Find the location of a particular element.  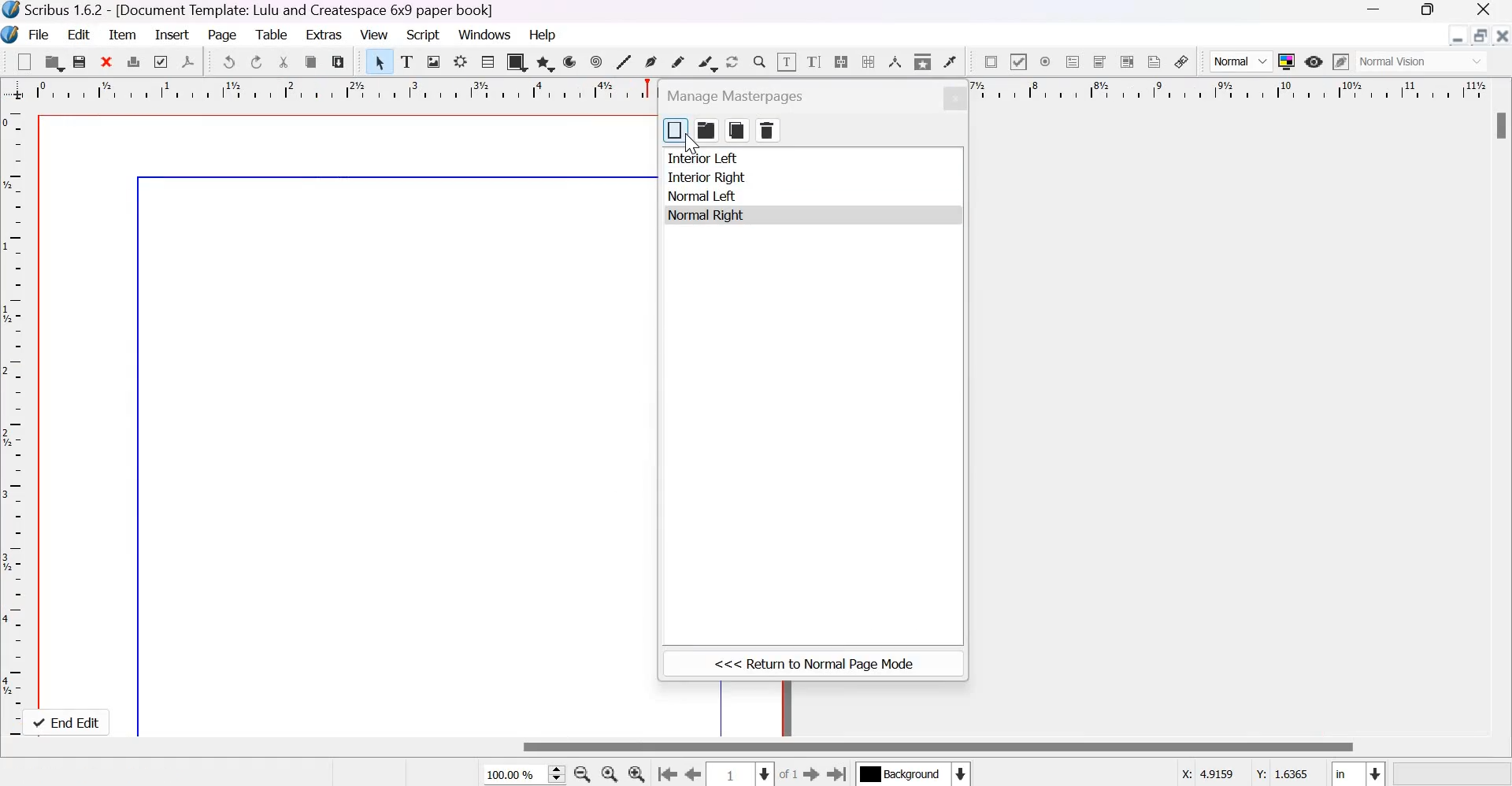

PDF radio box is located at coordinates (1046, 61).